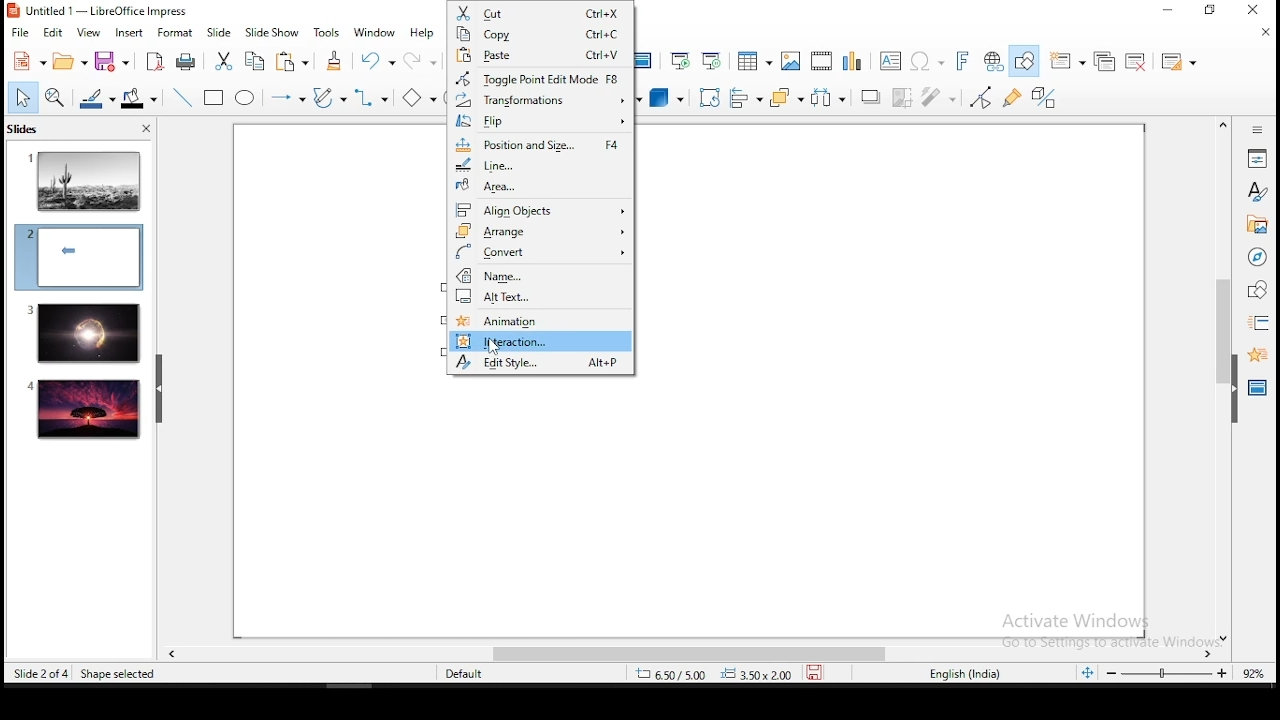  What do you see at coordinates (328, 33) in the screenshot?
I see `tools` at bounding box center [328, 33].